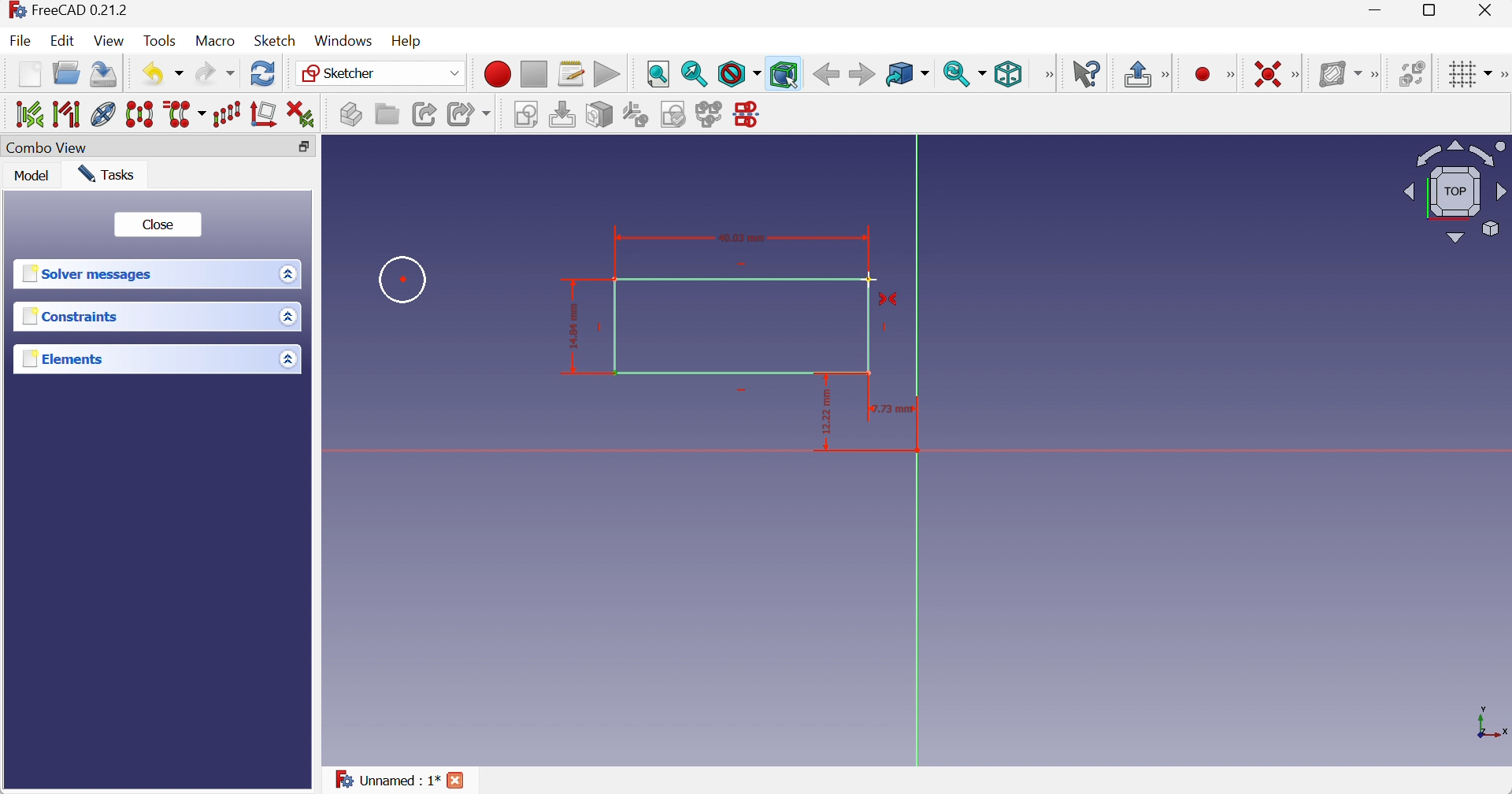  What do you see at coordinates (1087, 73) in the screenshot?
I see `What's this?` at bounding box center [1087, 73].